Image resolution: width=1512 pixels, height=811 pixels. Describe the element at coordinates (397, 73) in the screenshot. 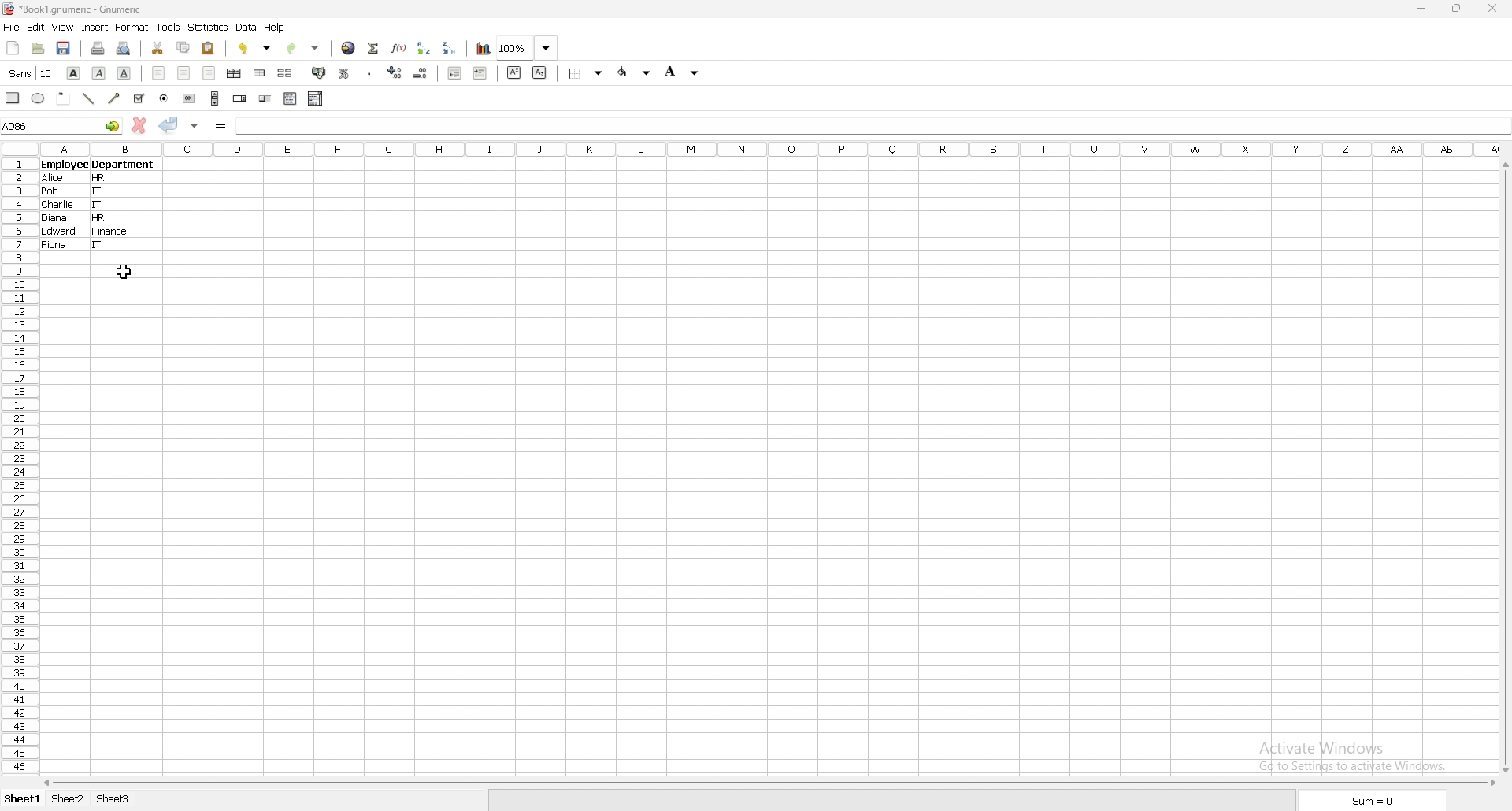

I see `increase decimals` at that location.